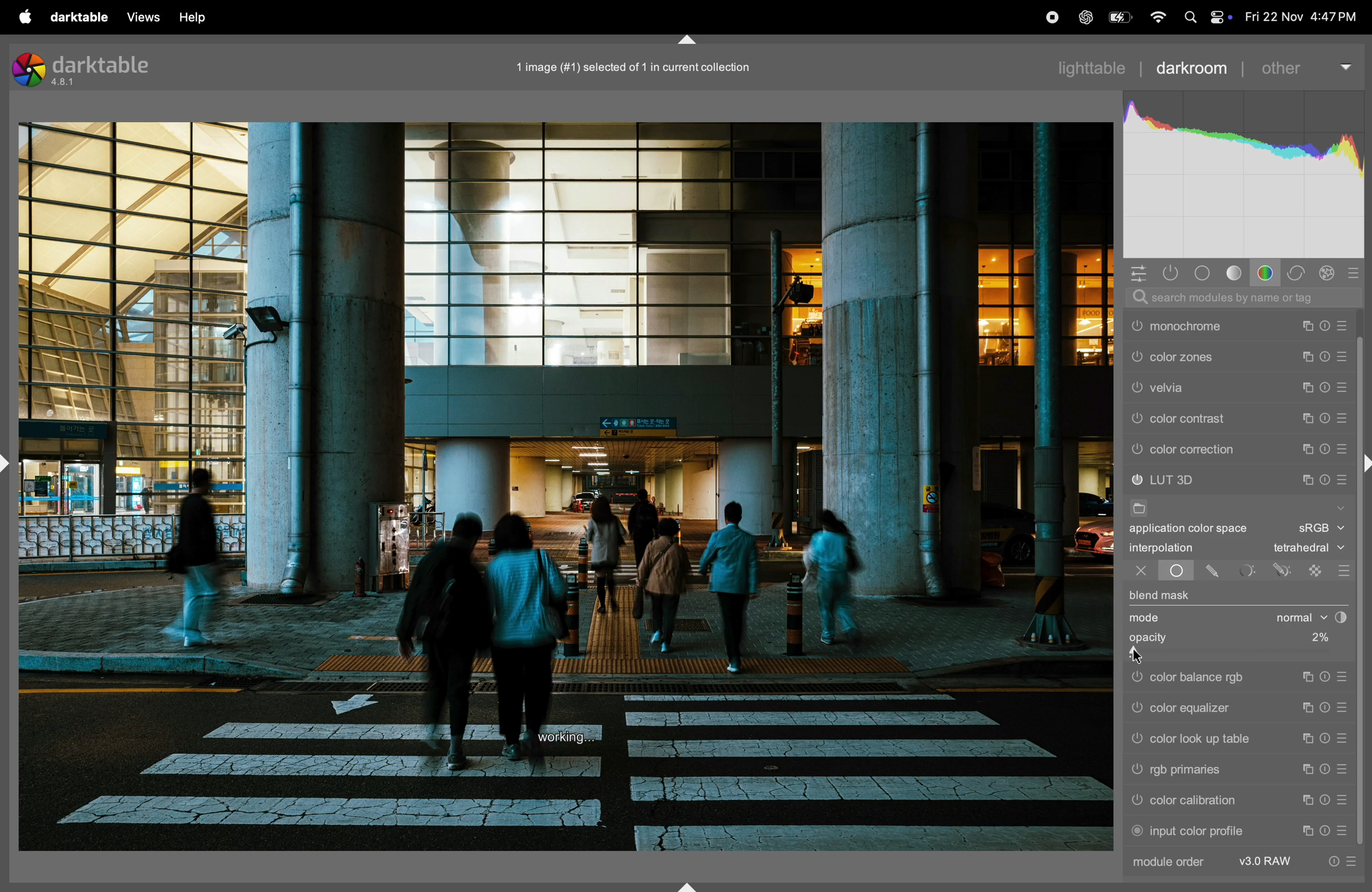 This screenshot has width=1372, height=892. Describe the element at coordinates (1322, 528) in the screenshot. I see `sRgb` at that location.